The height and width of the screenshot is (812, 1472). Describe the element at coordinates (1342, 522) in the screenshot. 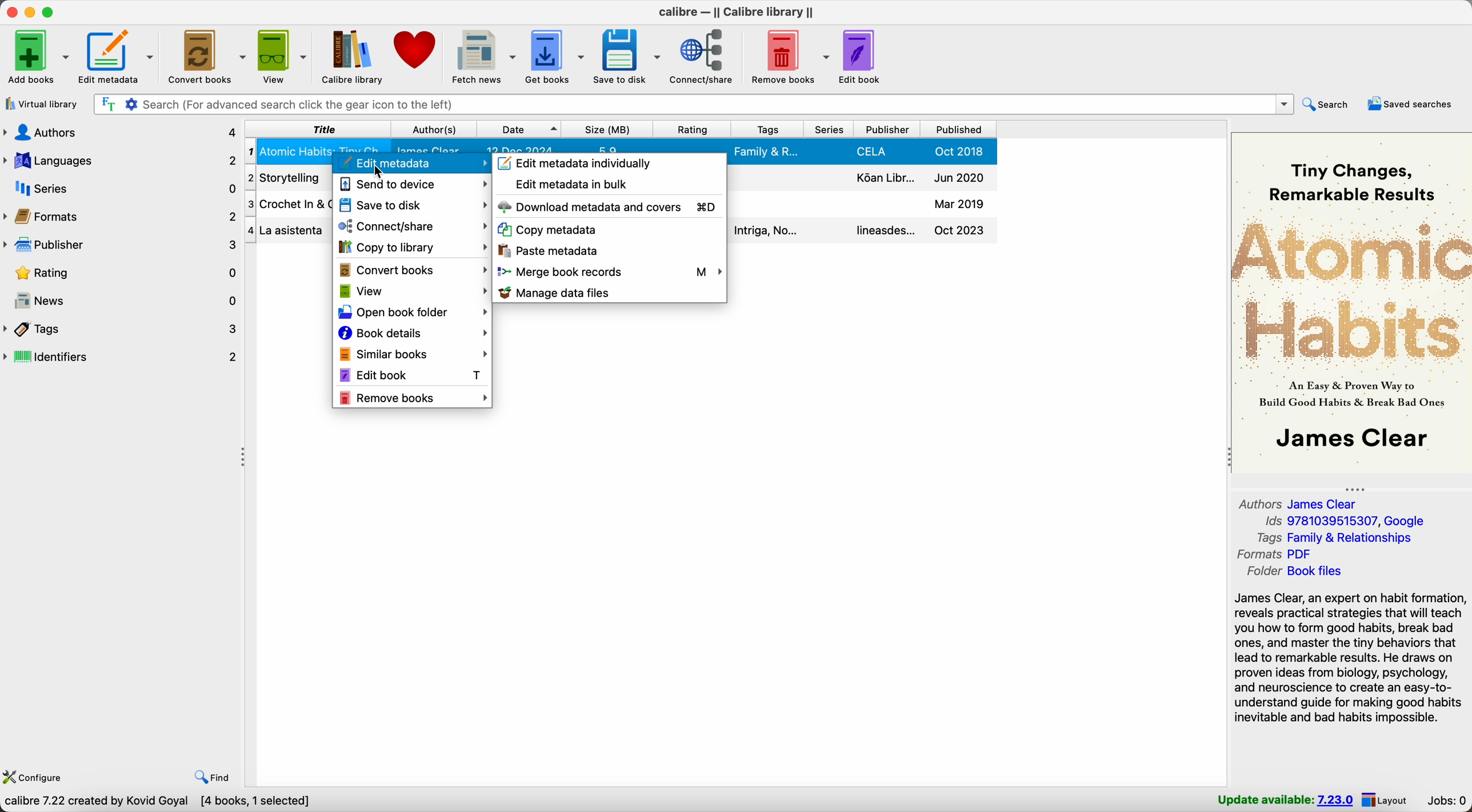

I see `Ids` at that location.